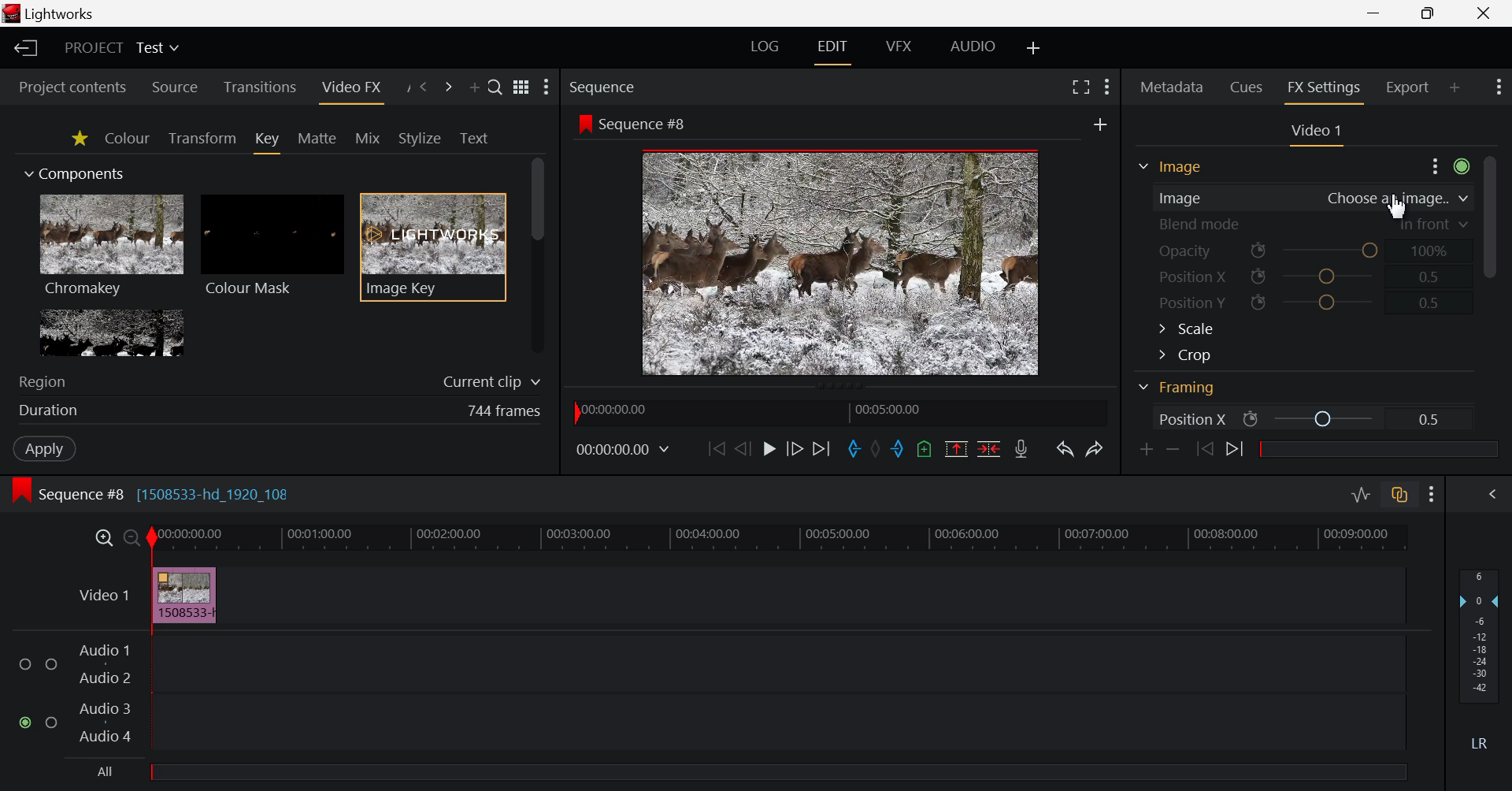  Describe the element at coordinates (1429, 276) in the screenshot. I see `0.5` at that location.